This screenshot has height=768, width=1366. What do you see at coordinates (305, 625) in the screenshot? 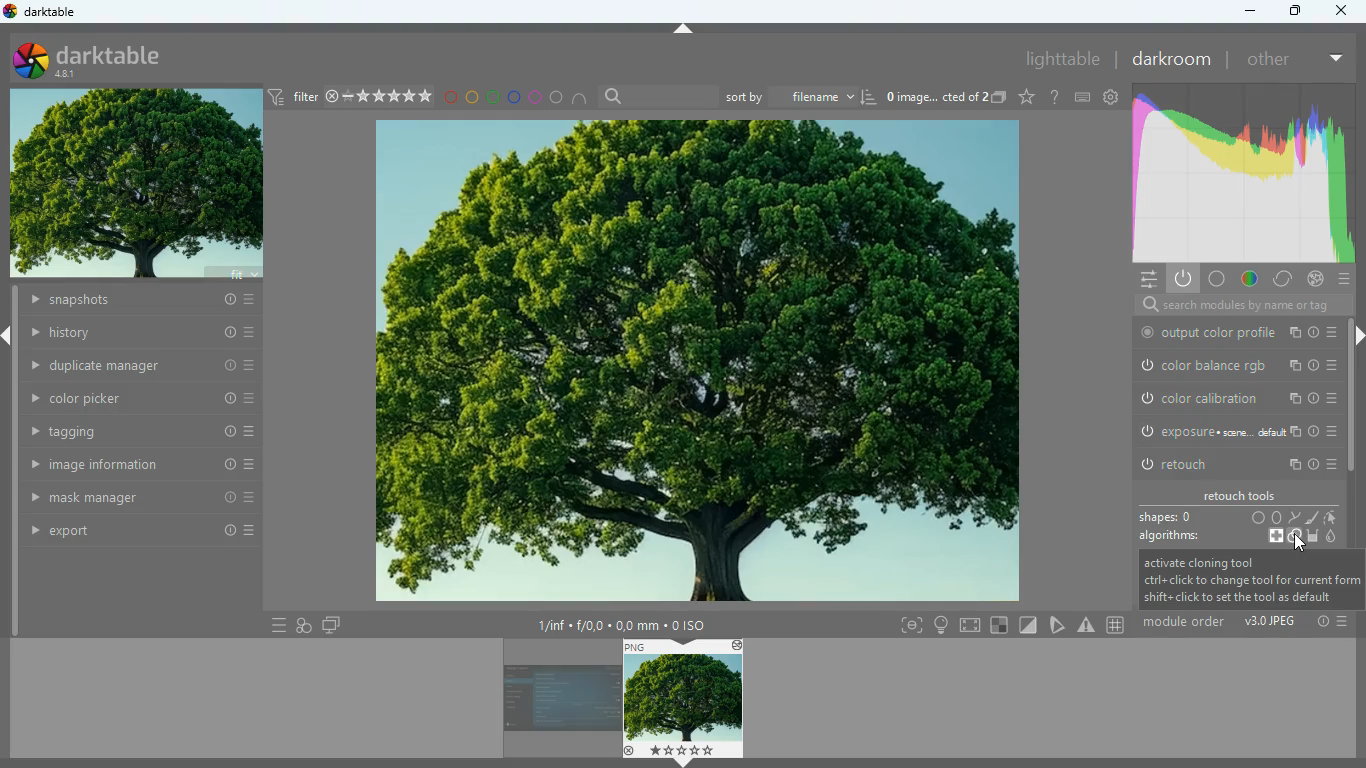
I see `overlap` at bounding box center [305, 625].